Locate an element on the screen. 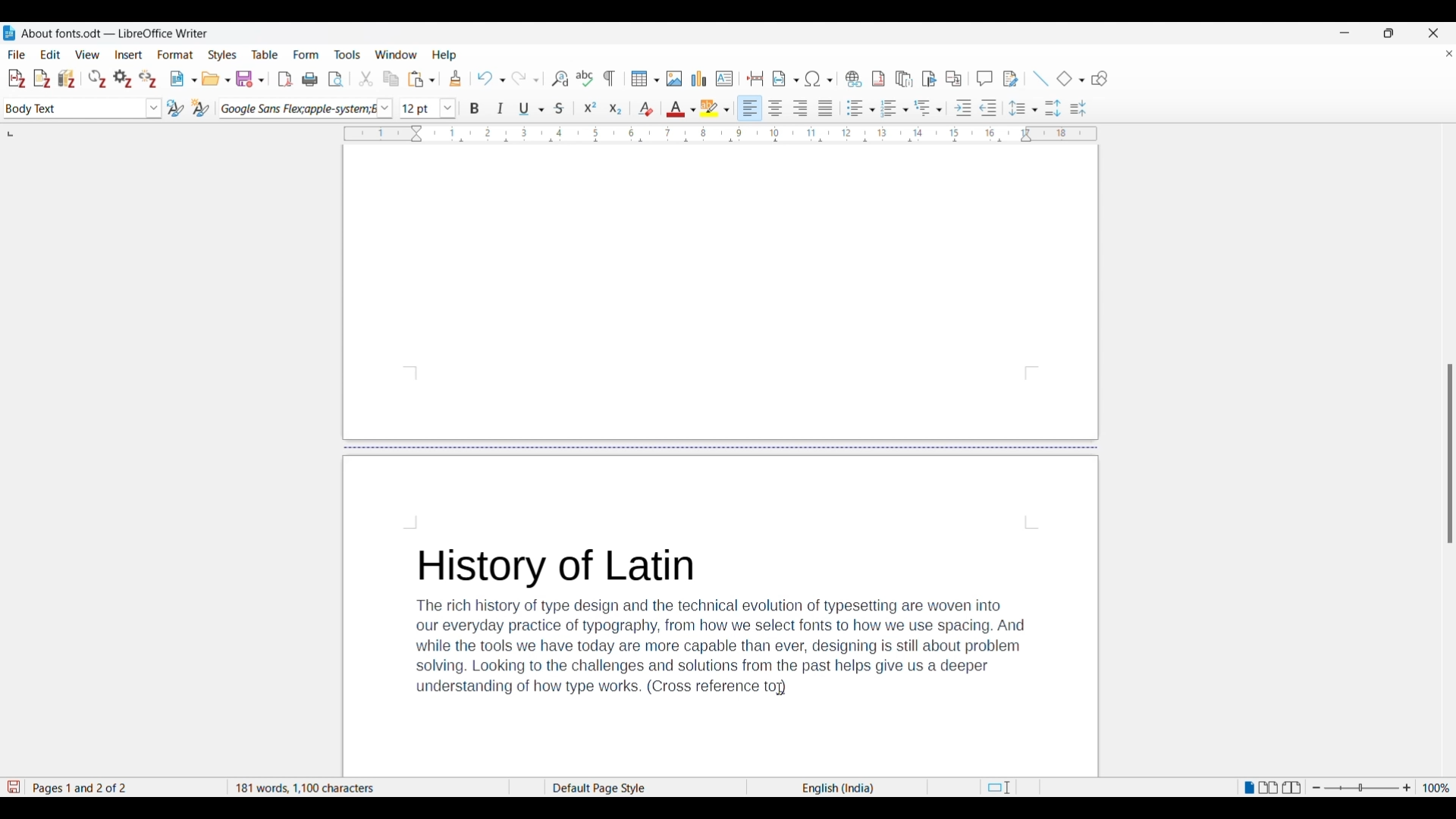 This screenshot has width=1456, height=819. Single page view is located at coordinates (1247, 788).